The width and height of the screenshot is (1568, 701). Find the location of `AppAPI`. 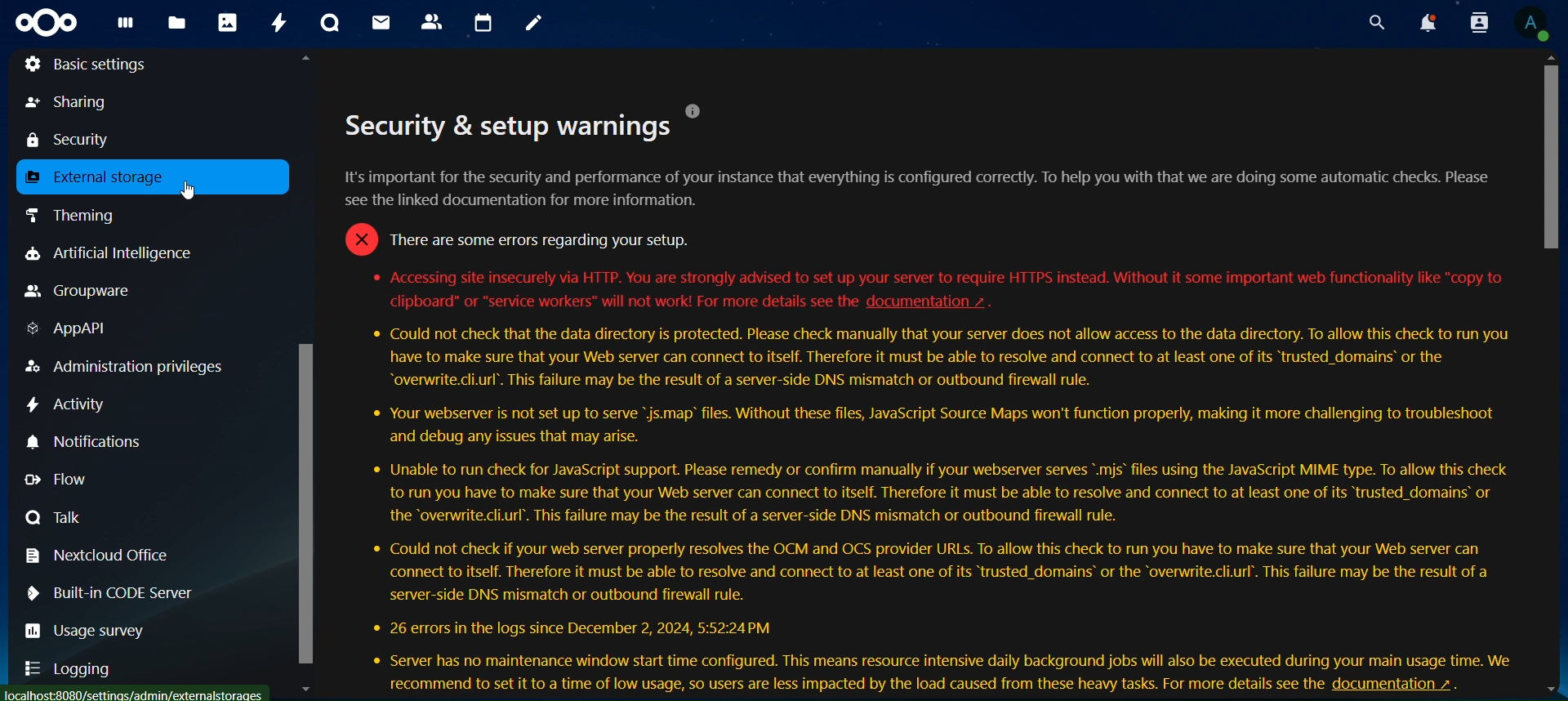

AppAPI is located at coordinates (67, 329).